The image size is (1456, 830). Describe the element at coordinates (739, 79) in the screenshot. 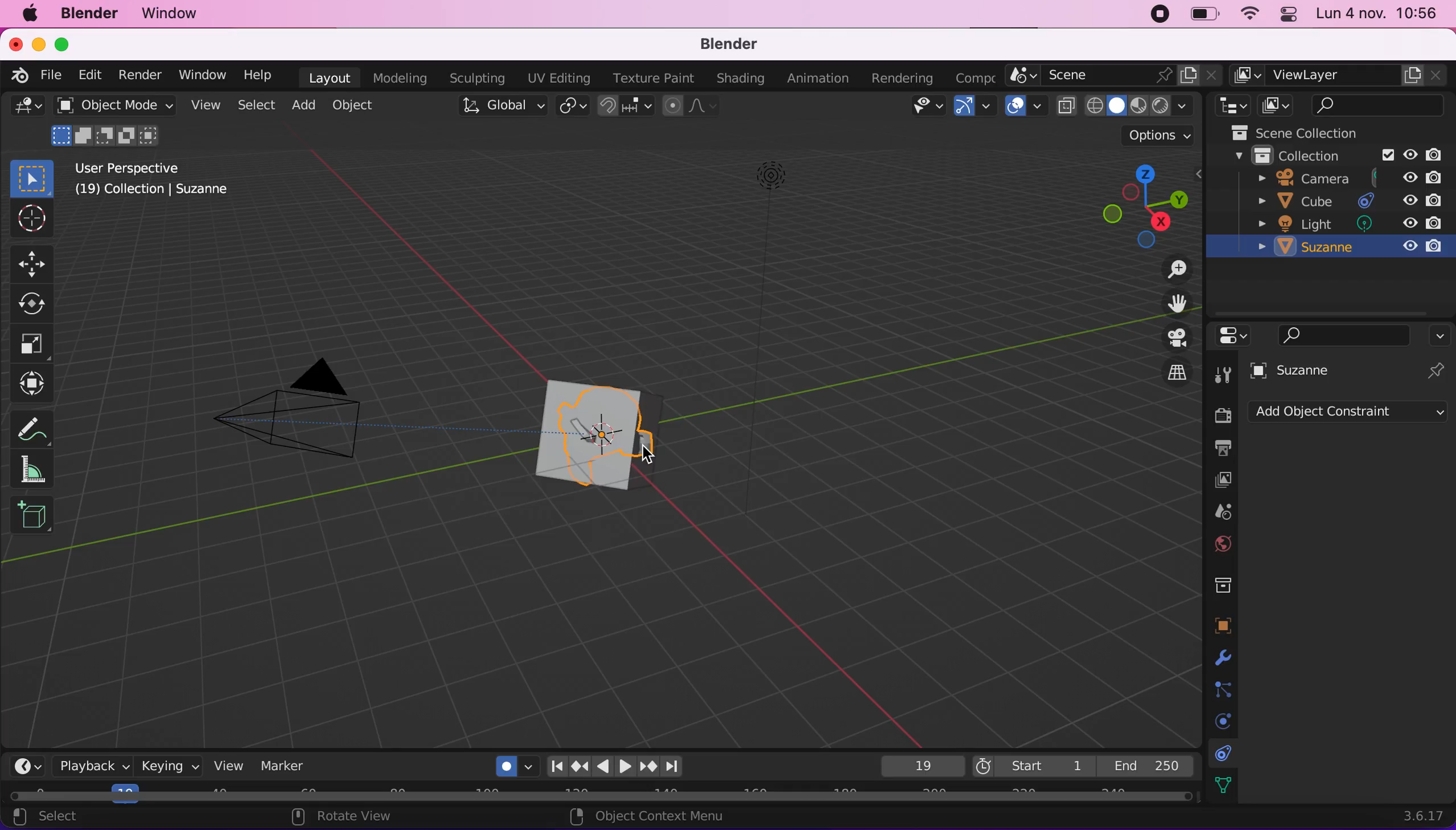

I see `shading` at that location.